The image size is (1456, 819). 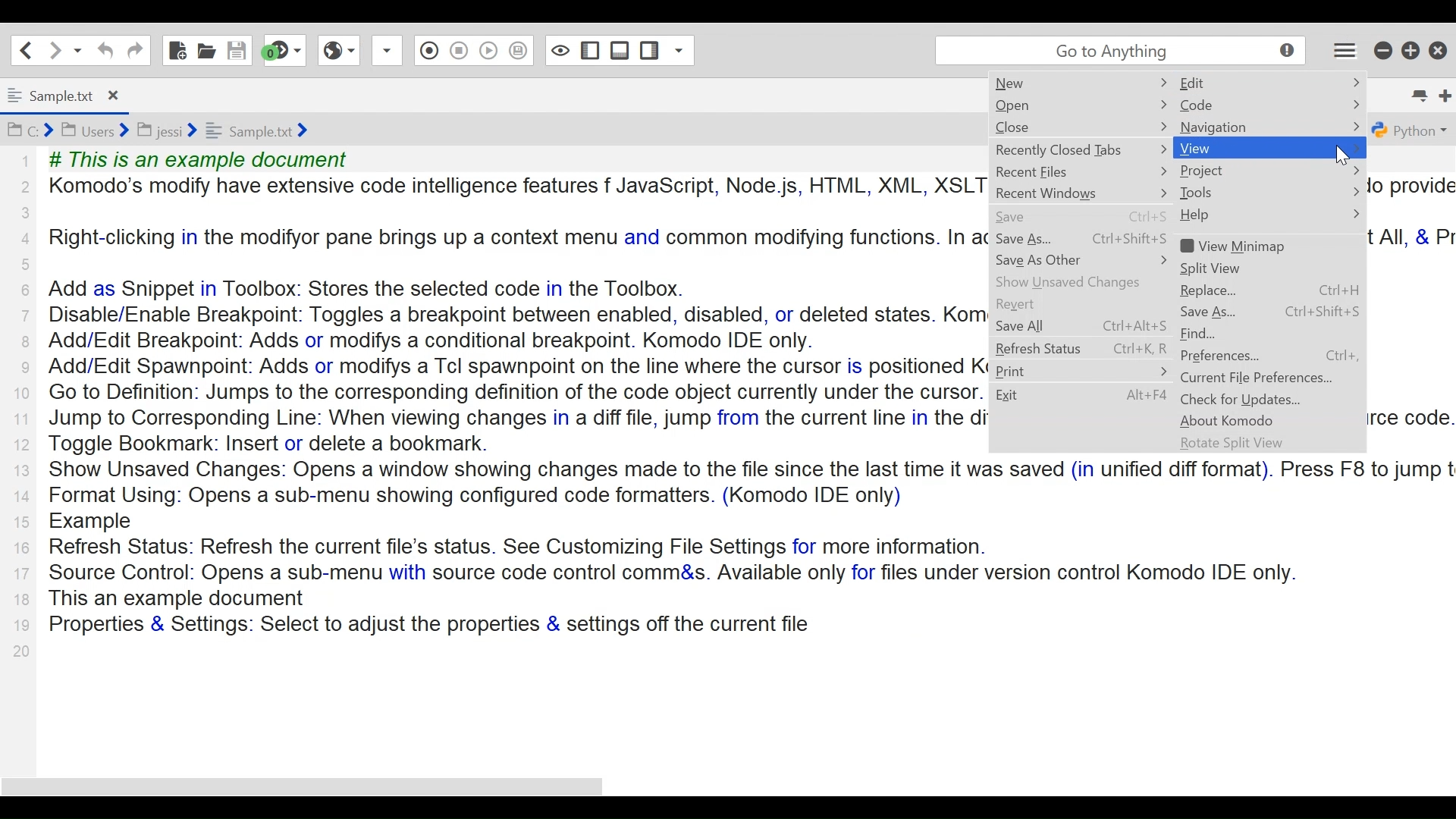 I want to click on Refresh Status Ctrl+K, R, so click(x=1078, y=350).